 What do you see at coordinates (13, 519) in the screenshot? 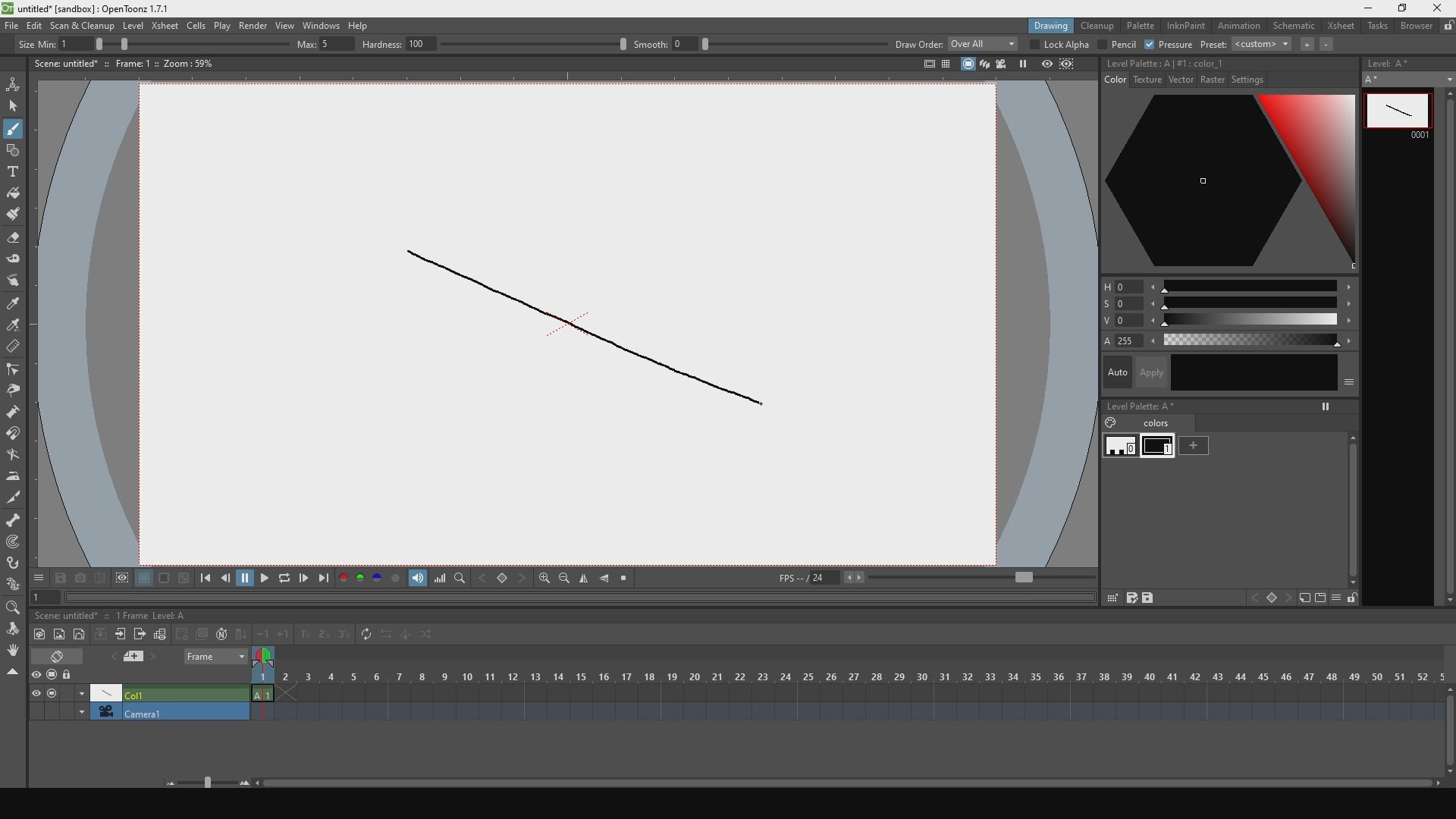
I see `scheleton` at bounding box center [13, 519].